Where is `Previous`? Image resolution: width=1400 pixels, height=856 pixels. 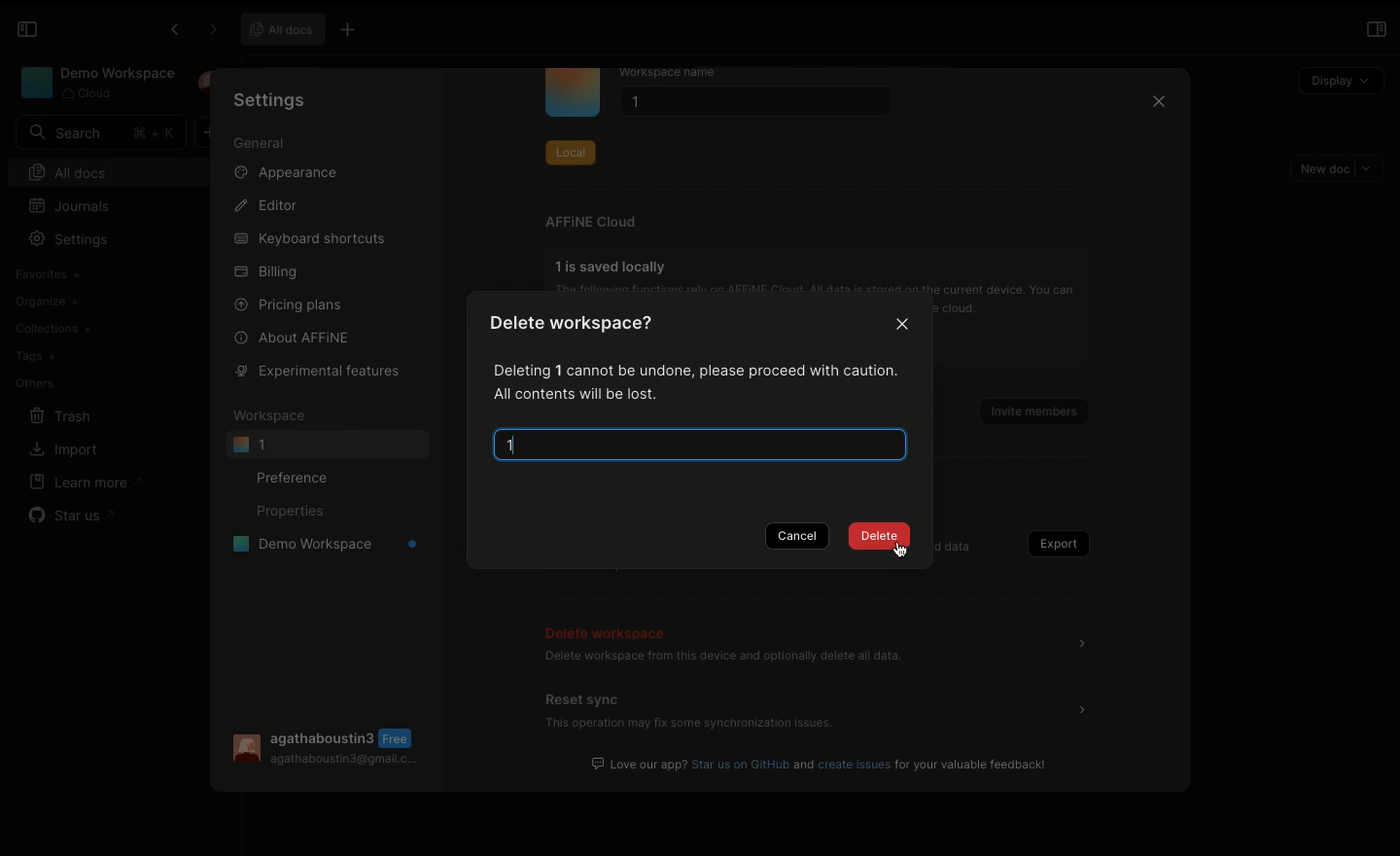
Previous is located at coordinates (172, 32).